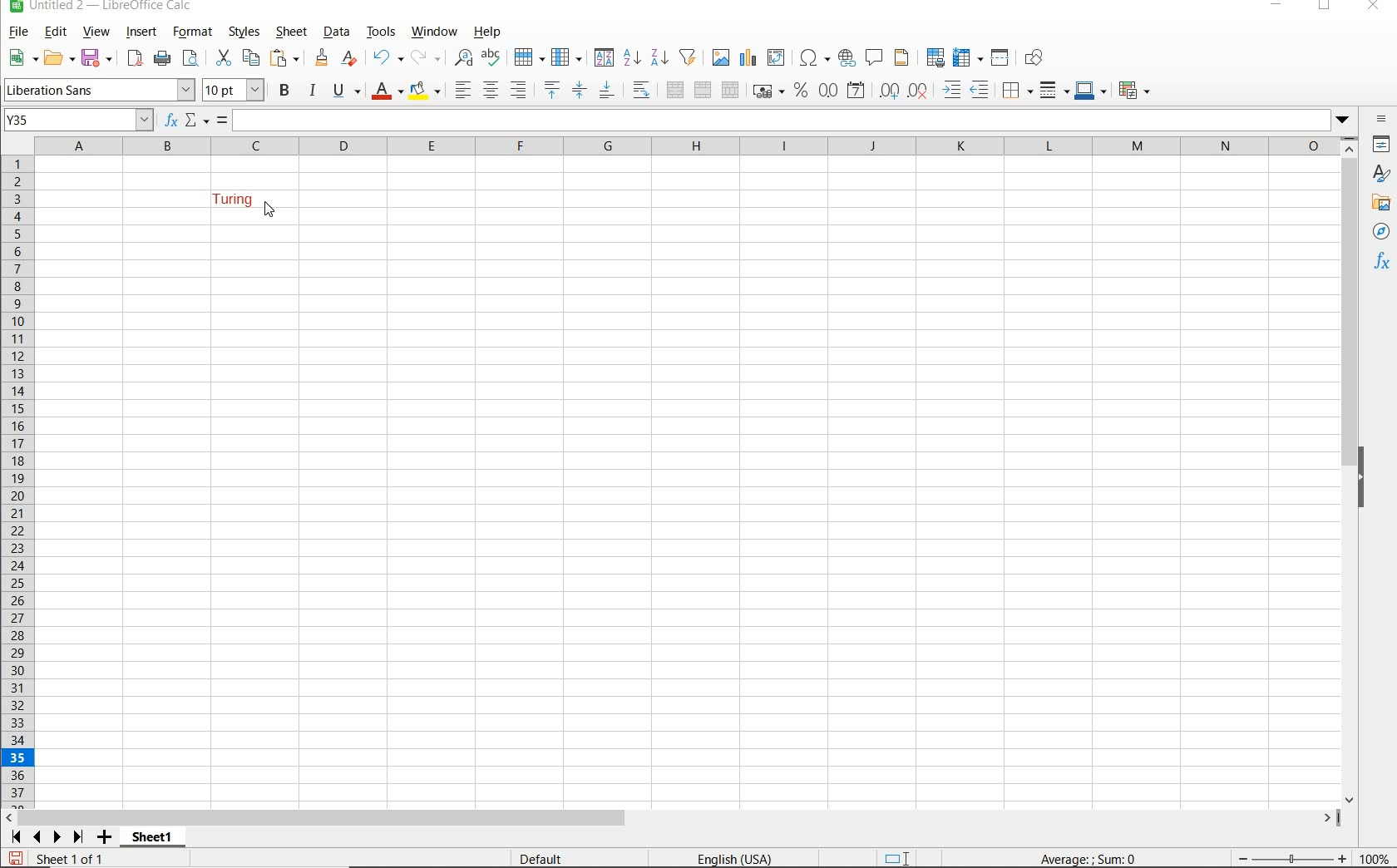 Image resolution: width=1397 pixels, height=868 pixels. I want to click on FIND AND REPLACE, so click(463, 59).